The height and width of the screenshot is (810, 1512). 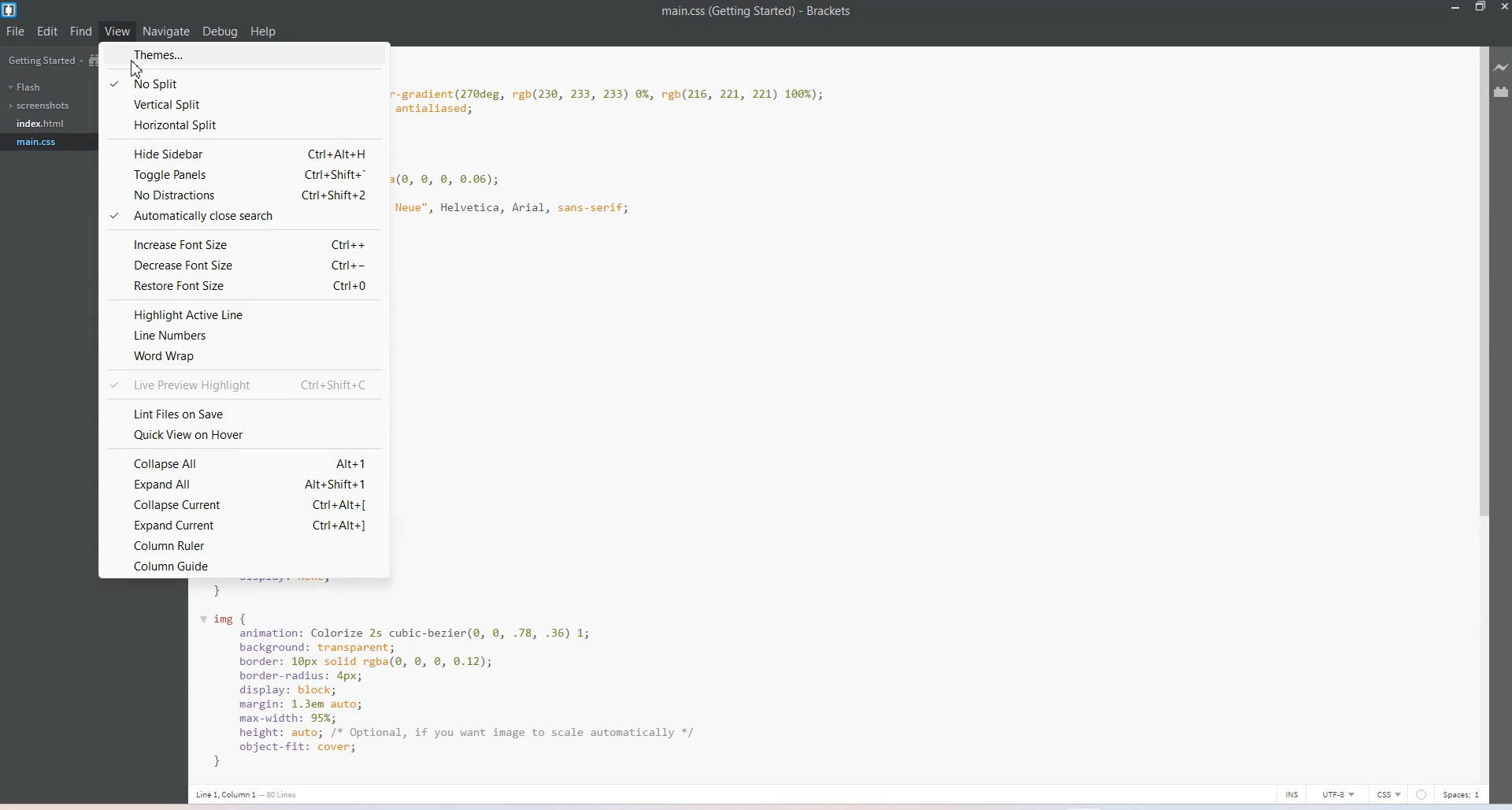 What do you see at coordinates (242, 462) in the screenshot?
I see `Collapse All` at bounding box center [242, 462].